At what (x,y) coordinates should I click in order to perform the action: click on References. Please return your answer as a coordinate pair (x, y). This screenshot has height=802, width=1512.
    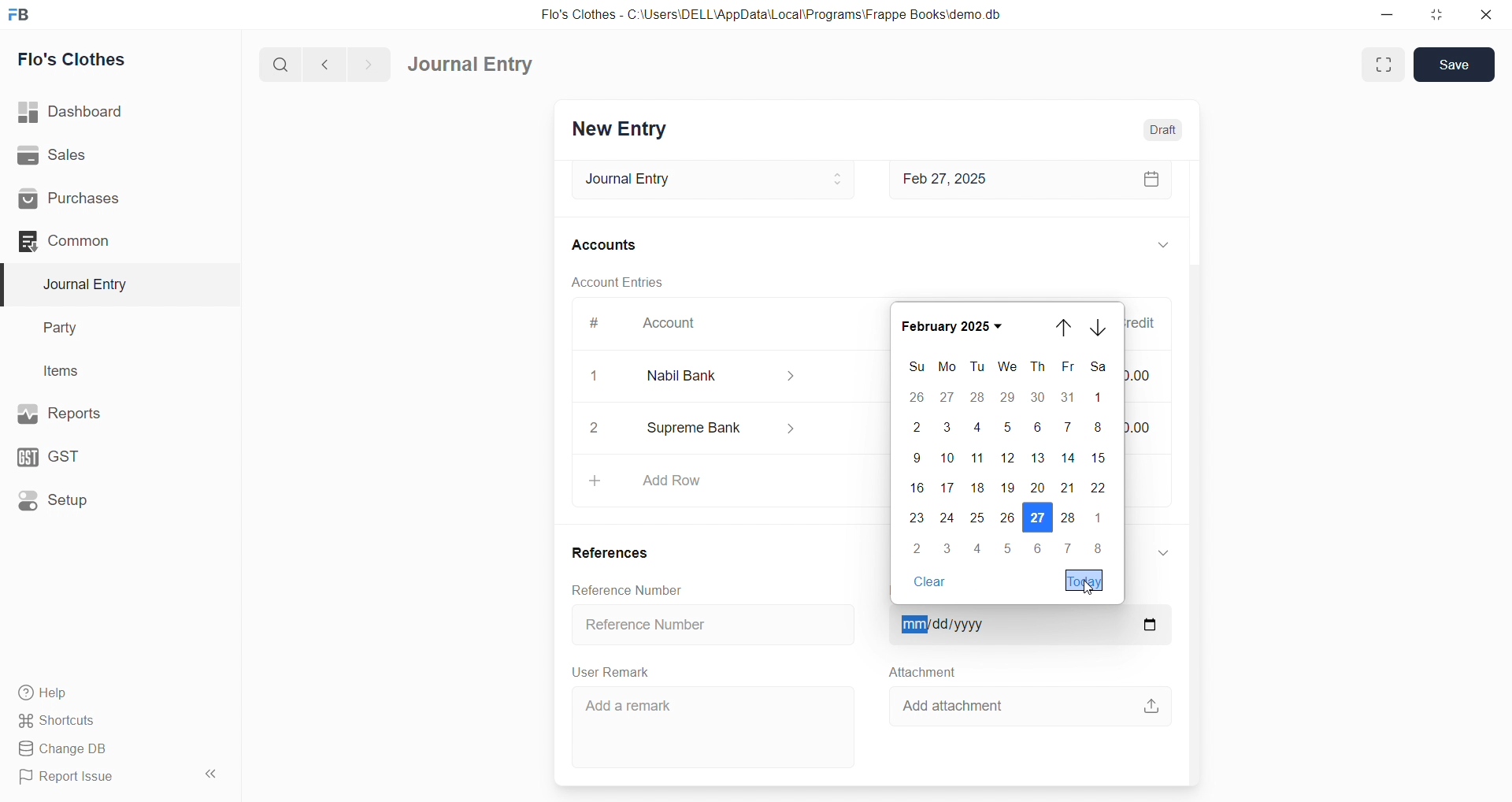
    Looking at the image, I should click on (611, 555).